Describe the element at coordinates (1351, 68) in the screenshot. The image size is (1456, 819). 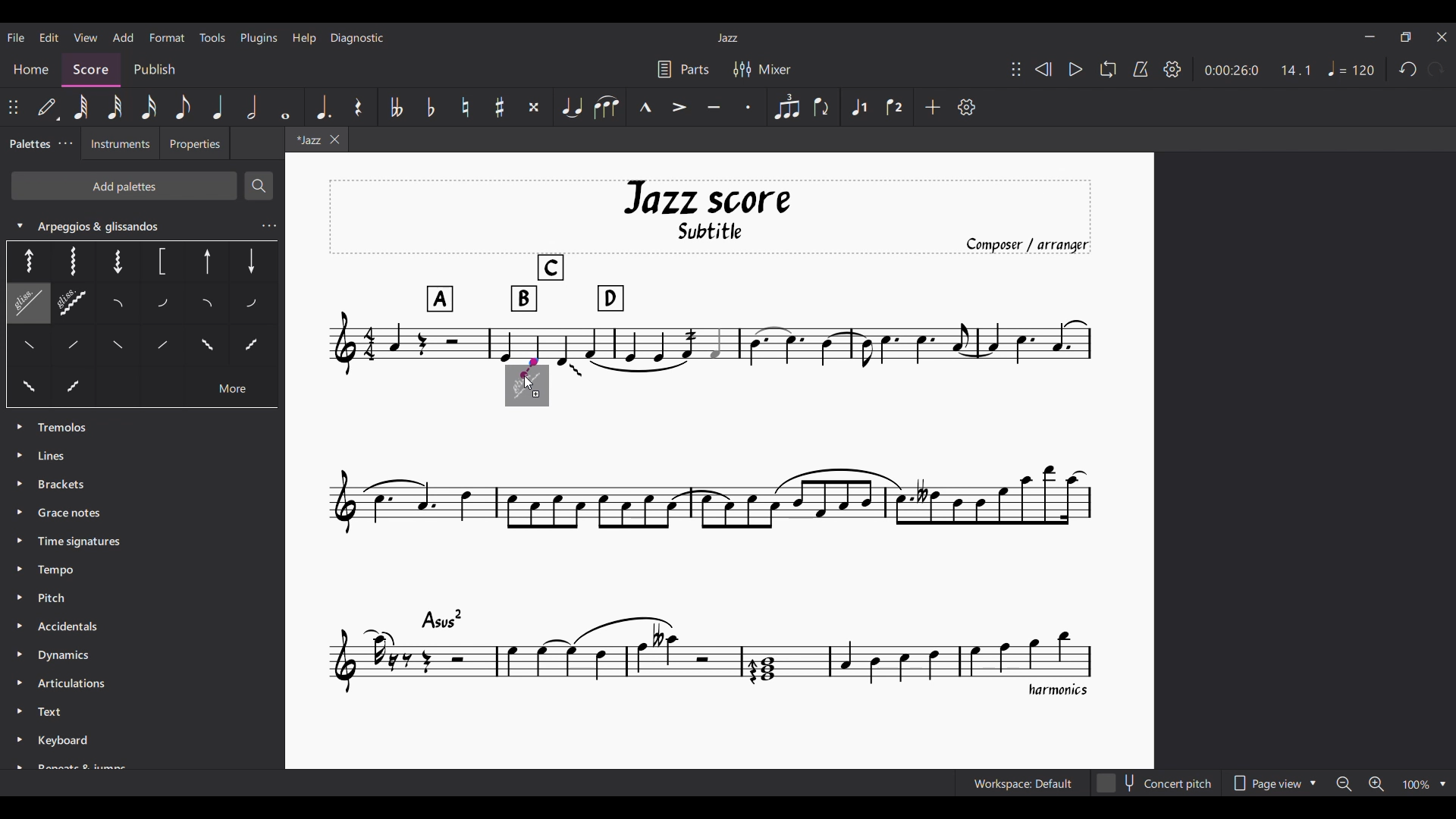
I see `Tempo` at that location.